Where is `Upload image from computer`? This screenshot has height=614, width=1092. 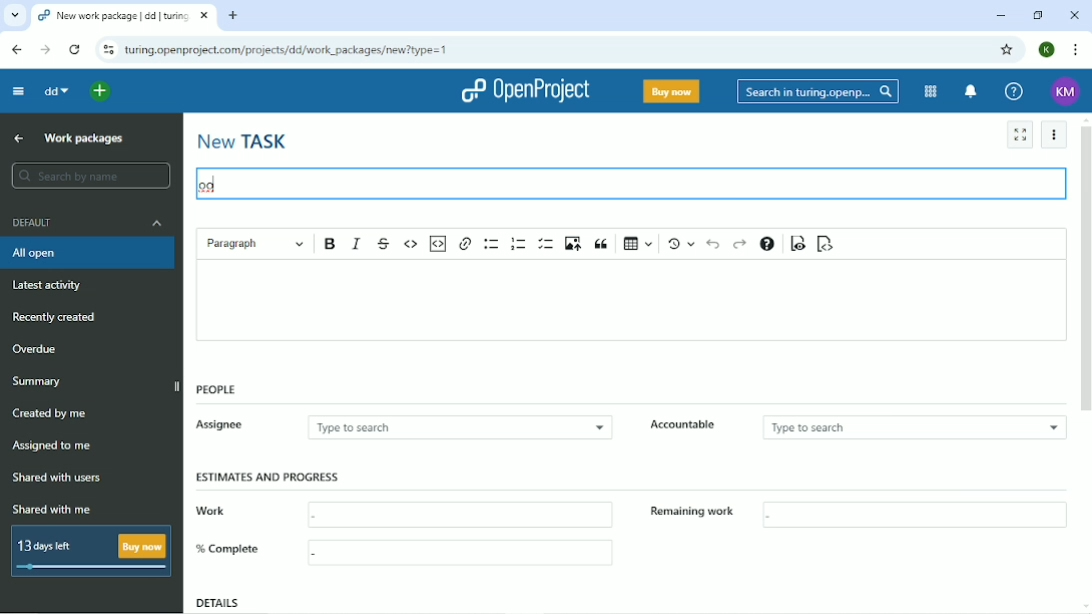
Upload image from computer is located at coordinates (573, 244).